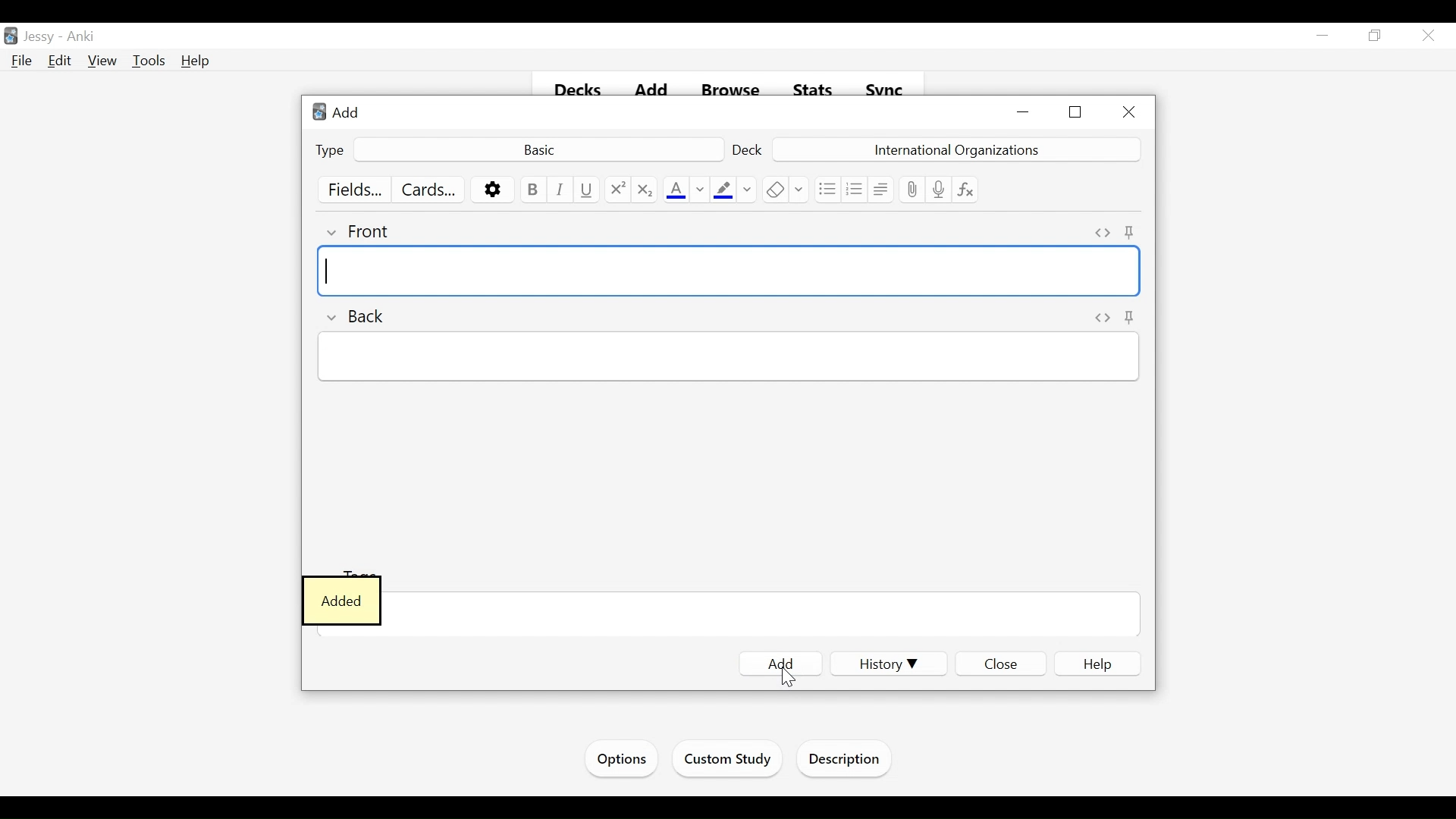 The image size is (1456, 819). I want to click on Back Field, so click(727, 360).